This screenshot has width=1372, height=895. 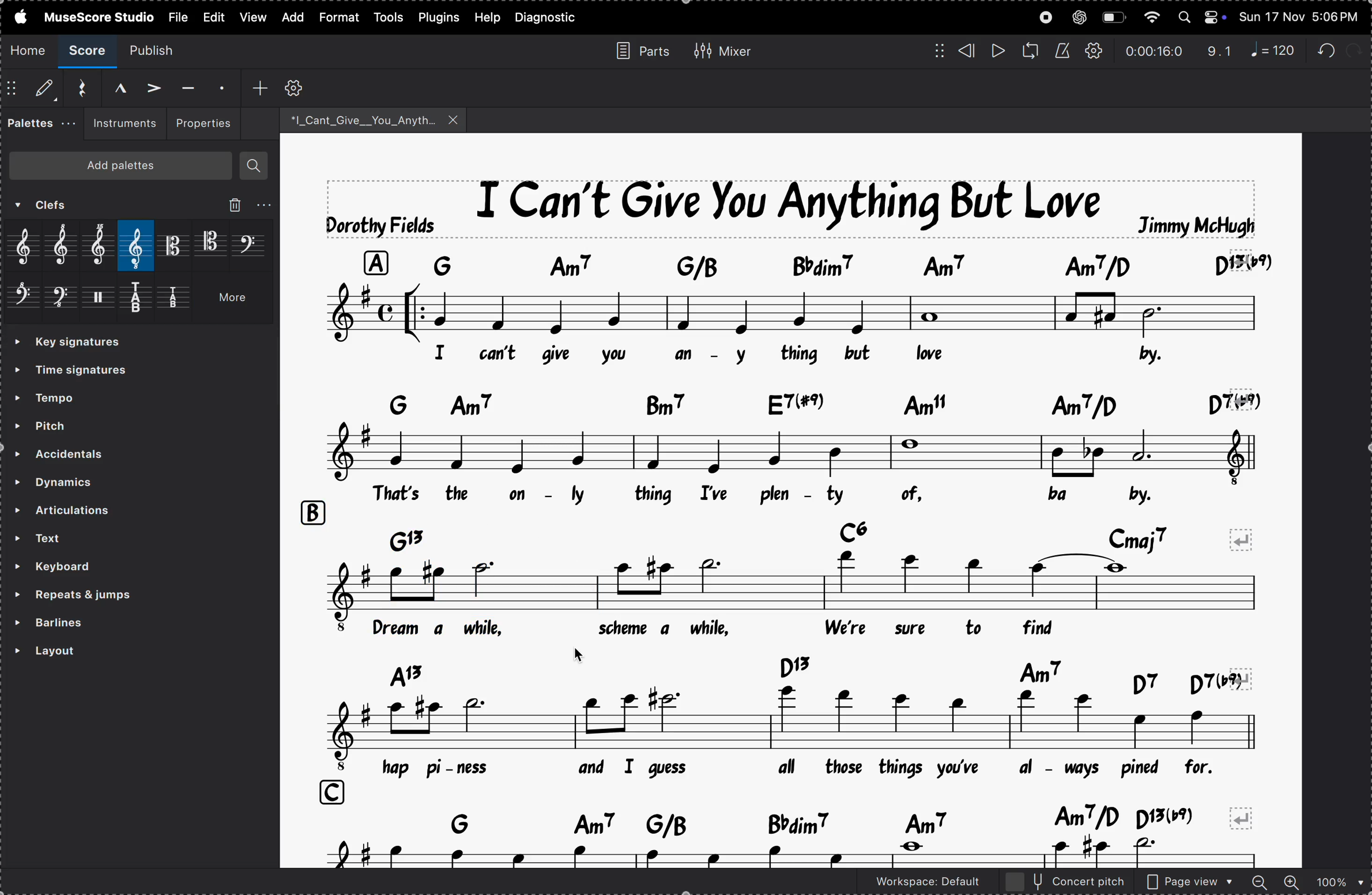 What do you see at coordinates (793, 311) in the screenshot?
I see `notes` at bounding box center [793, 311].